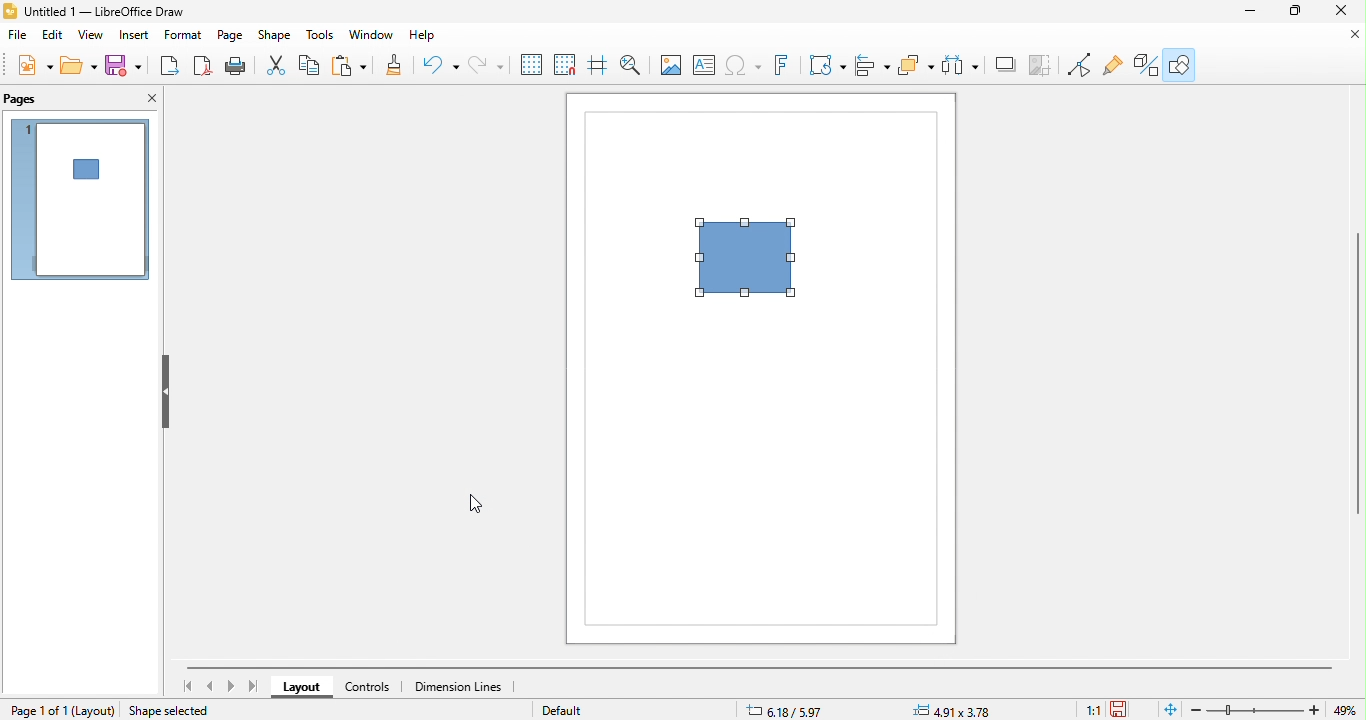 This screenshot has height=720, width=1366. I want to click on 49, so click(1348, 710).